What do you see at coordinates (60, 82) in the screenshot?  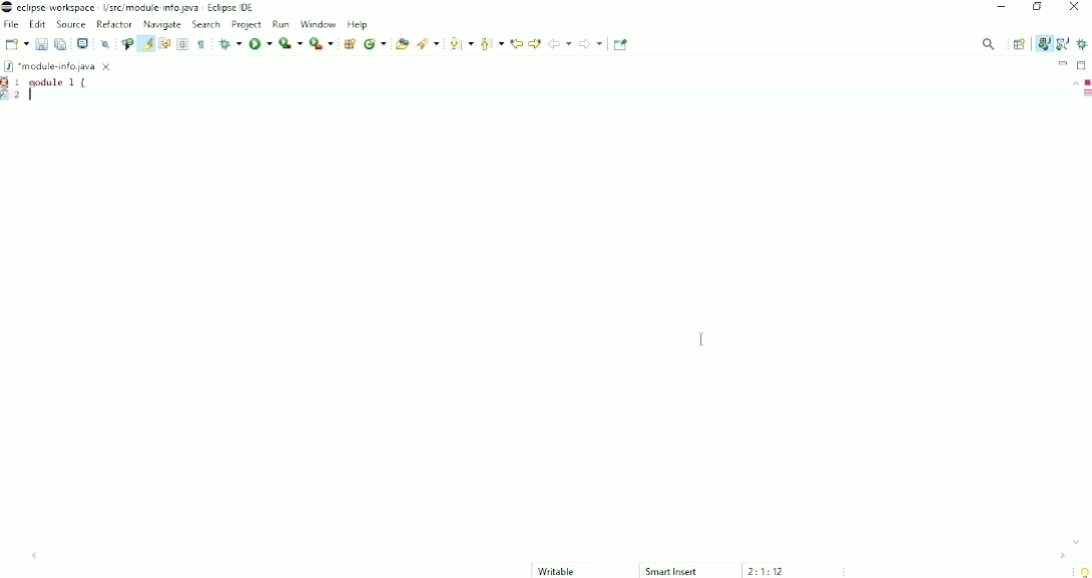 I see `module 1` at bounding box center [60, 82].